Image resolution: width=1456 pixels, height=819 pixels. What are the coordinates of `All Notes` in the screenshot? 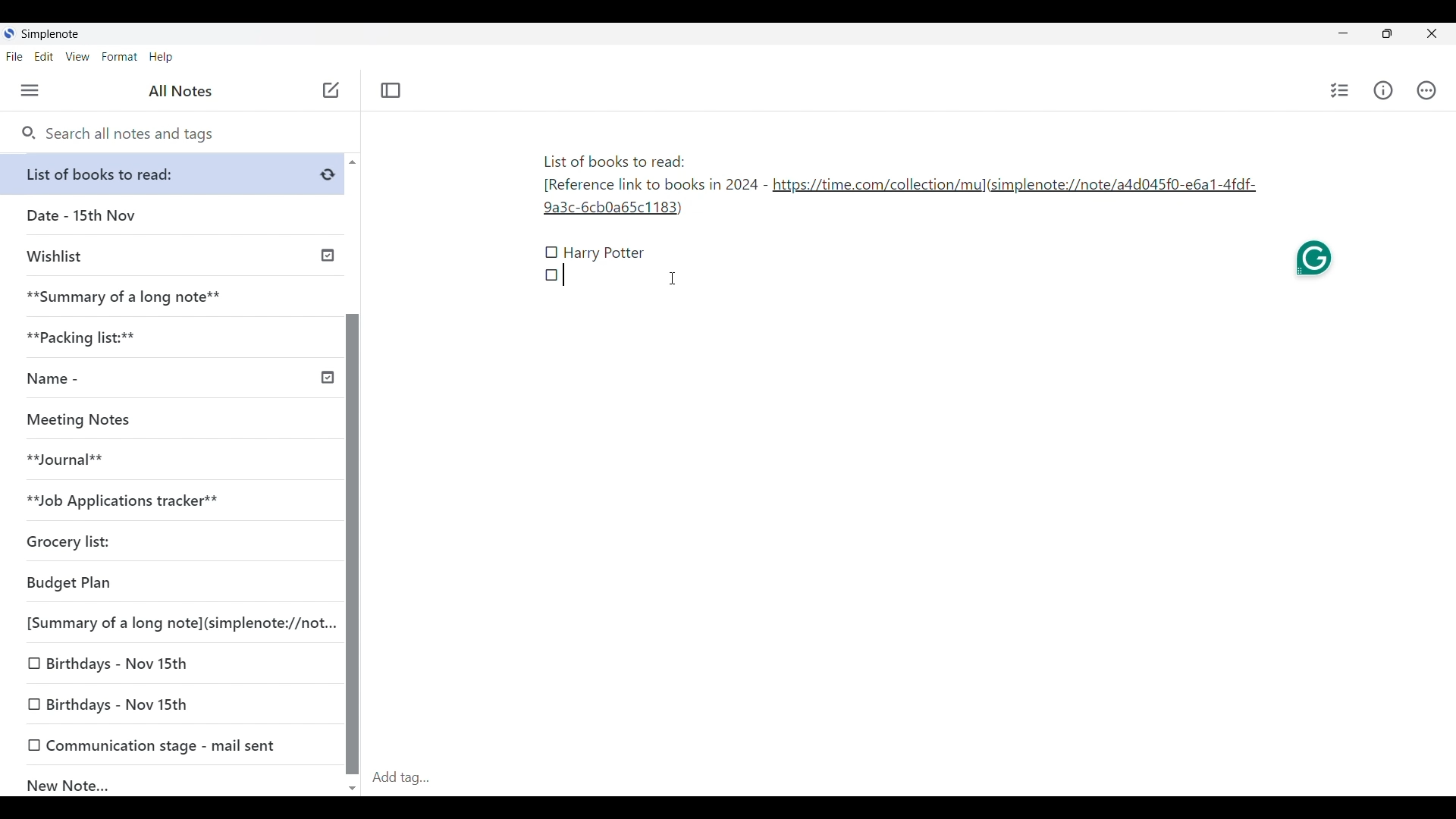 It's located at (178, 91).